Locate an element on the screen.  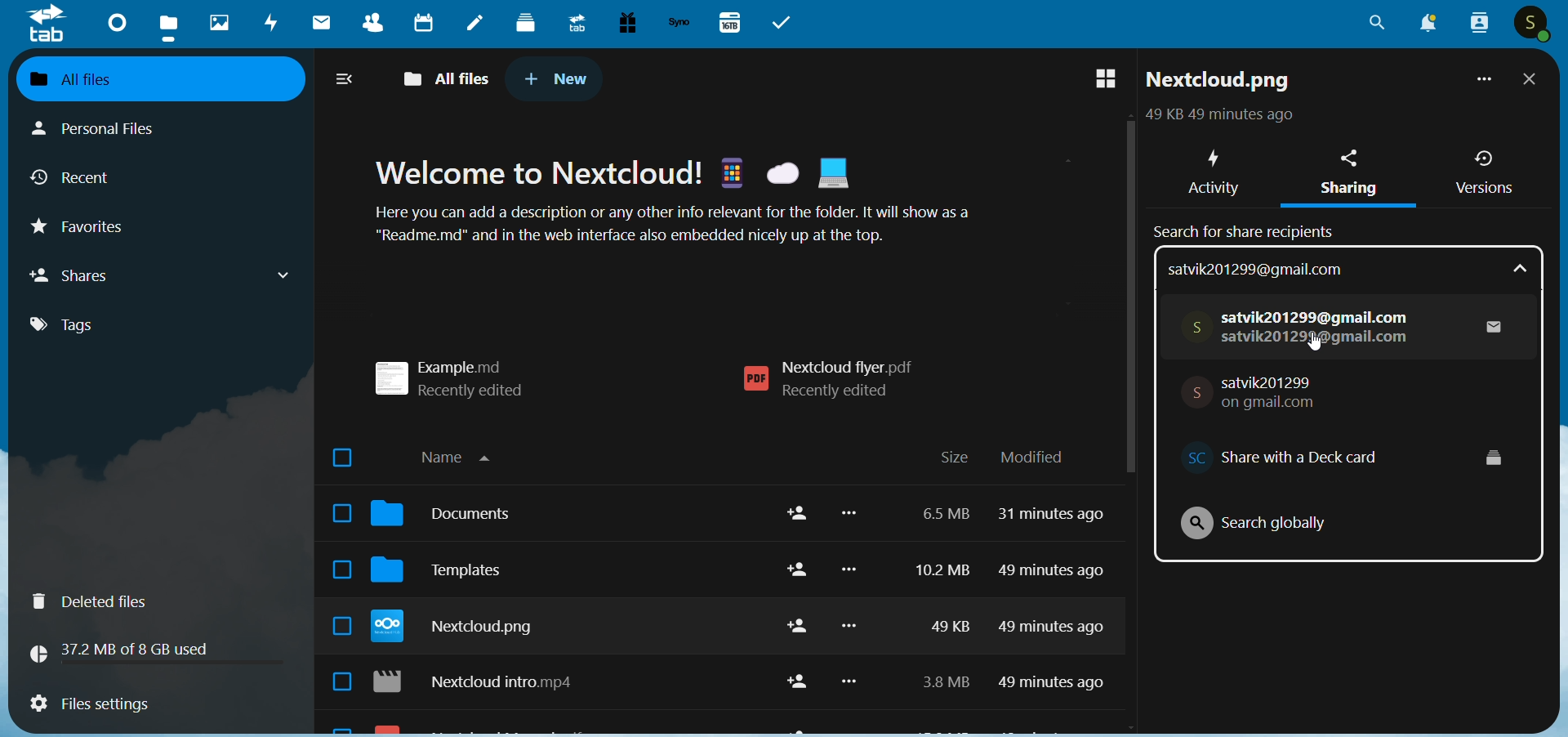
sharing is located at coordinates (1354, 176).